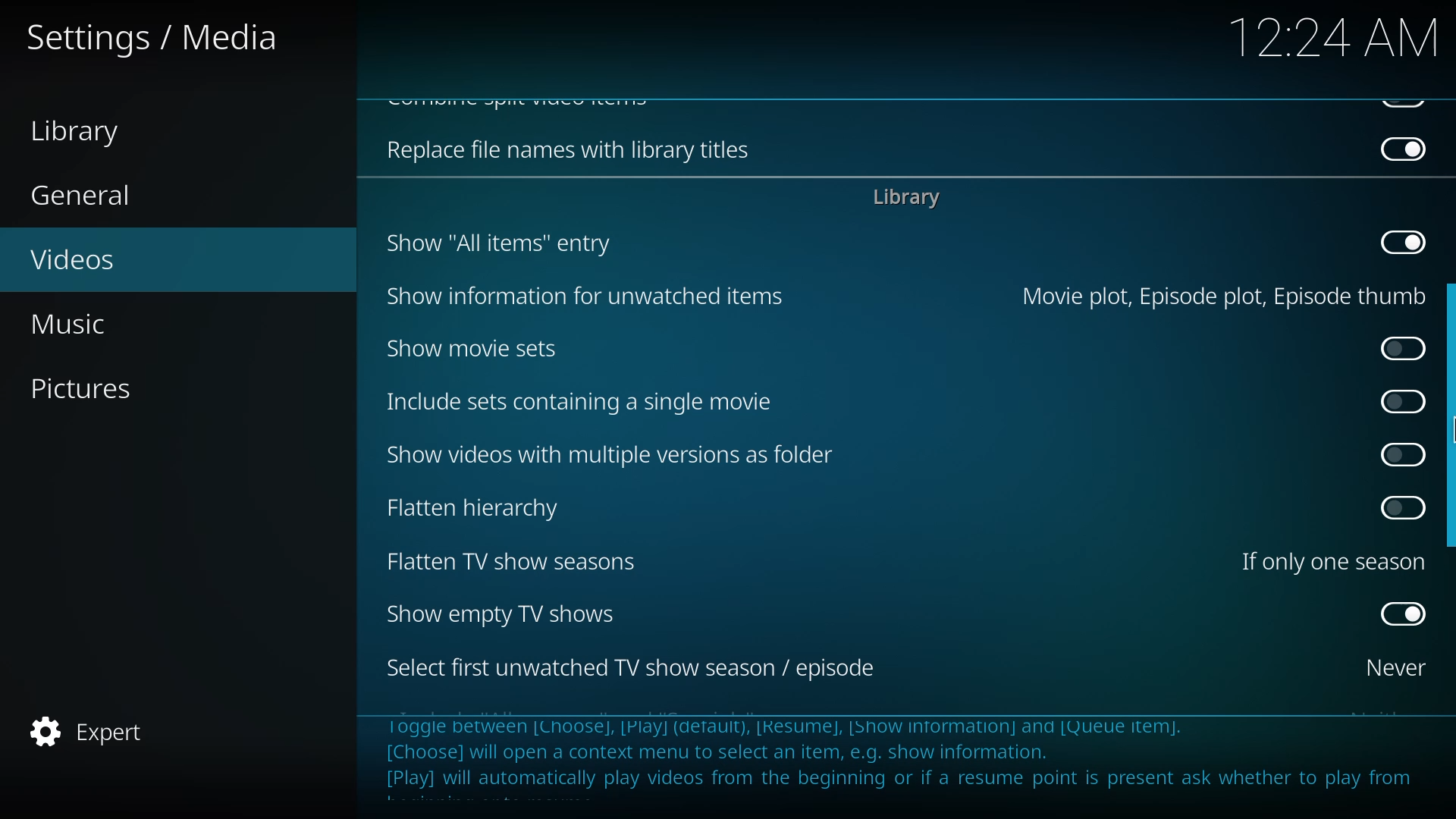  What do you see at coordinates (1332, 560) in the screenshot?
I see `one season` at bounding box center [1332, 560].